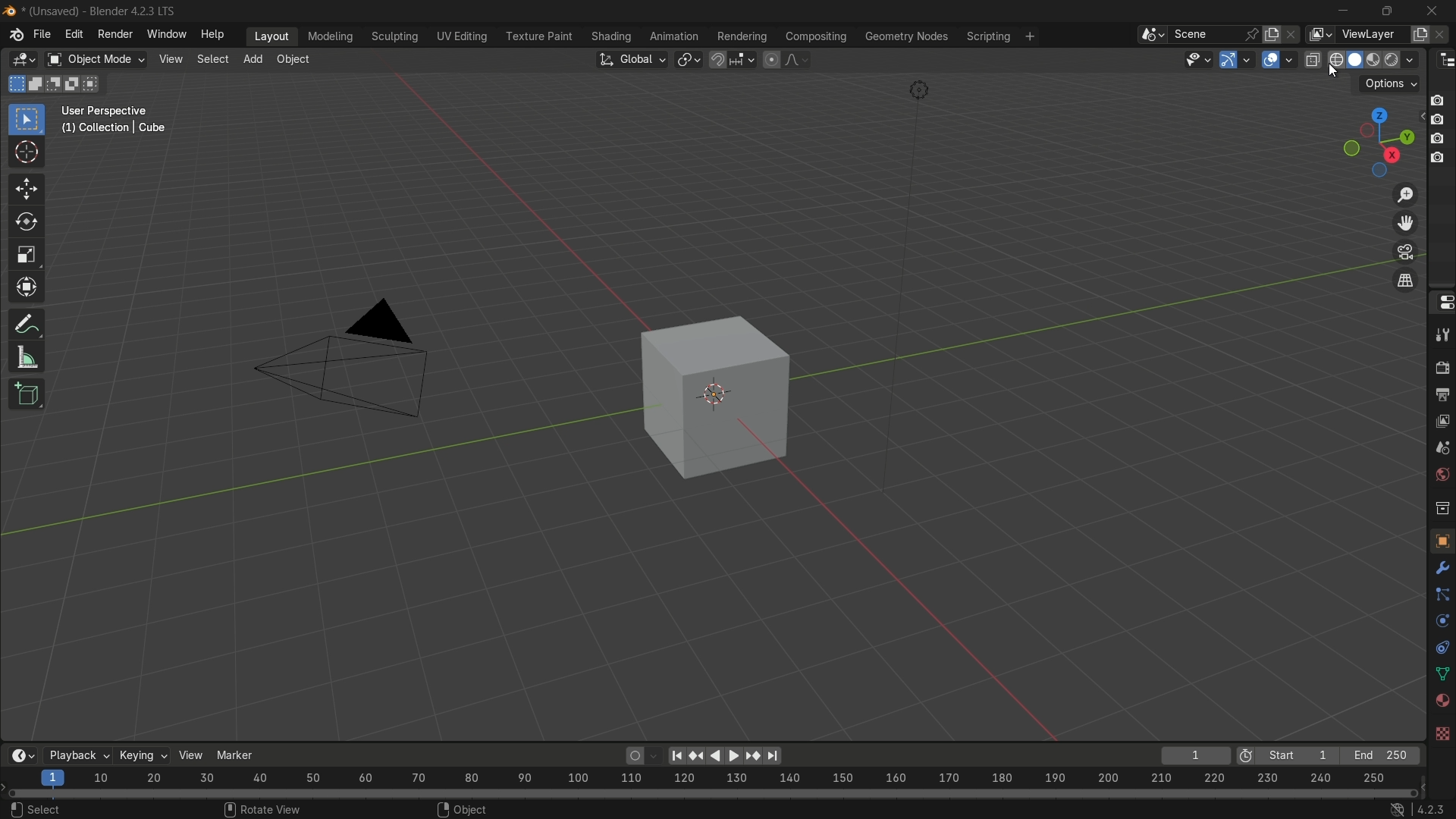 The width and height of the screenshot is (1456, 819). Describe the element at coordinates (25, 358) in the screenshot. I see `measure` at that location.